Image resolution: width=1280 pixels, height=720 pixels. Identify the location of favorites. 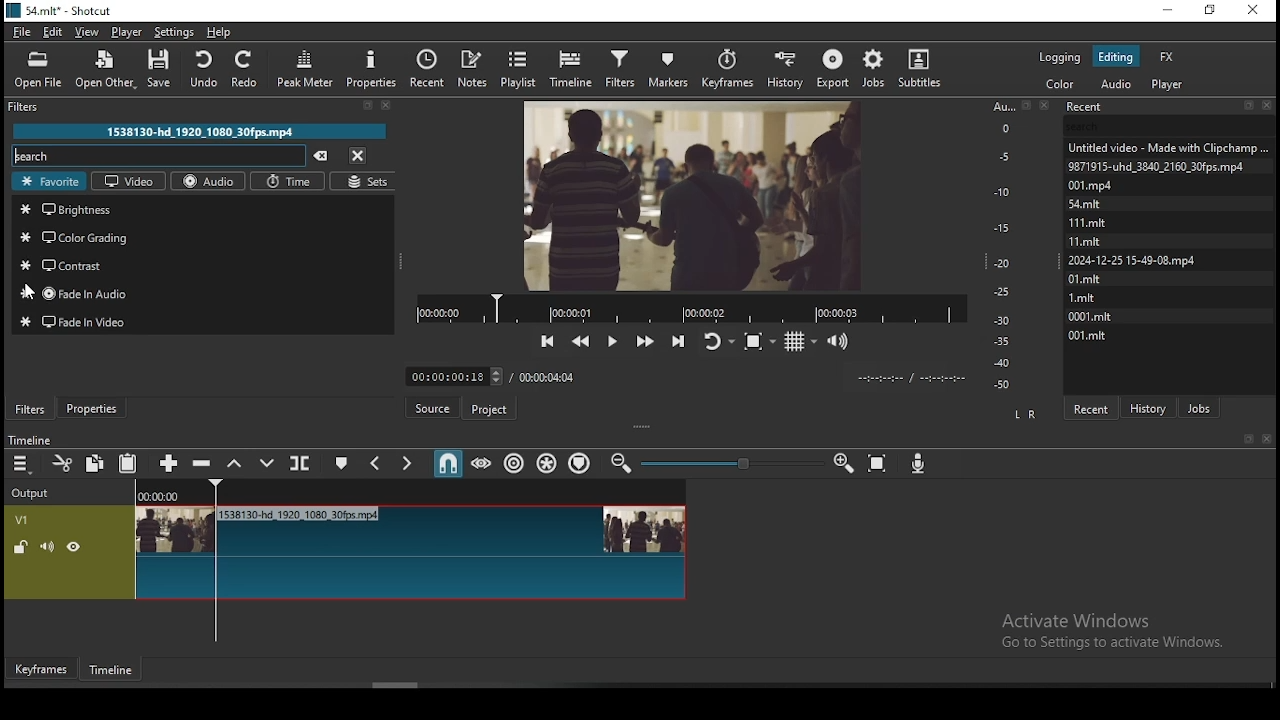
(51, 182).